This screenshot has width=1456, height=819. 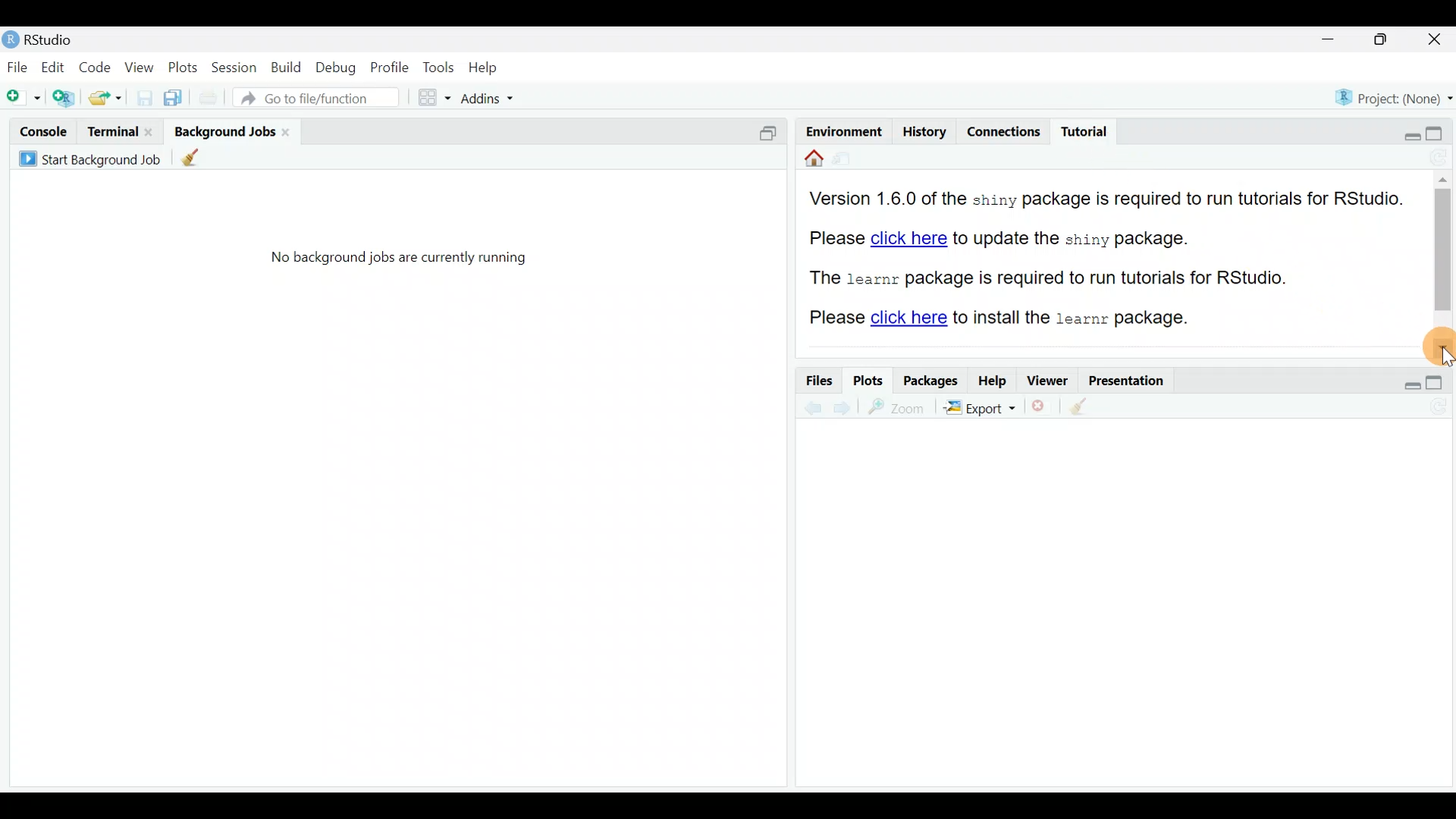 I want to click on Edit, so click(x=54, y=70).